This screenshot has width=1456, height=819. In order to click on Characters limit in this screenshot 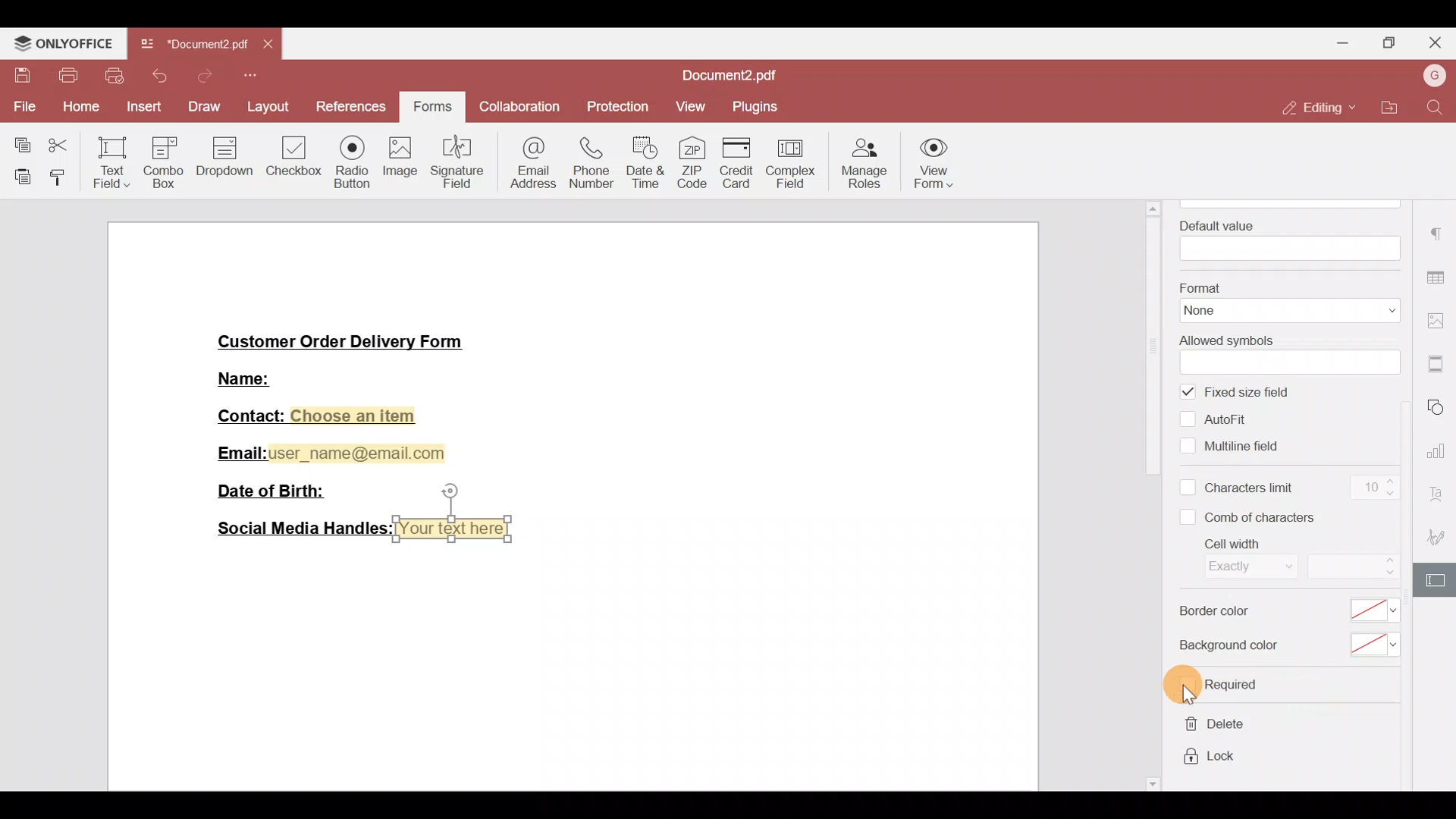, I will do `click(1239, 489)`.